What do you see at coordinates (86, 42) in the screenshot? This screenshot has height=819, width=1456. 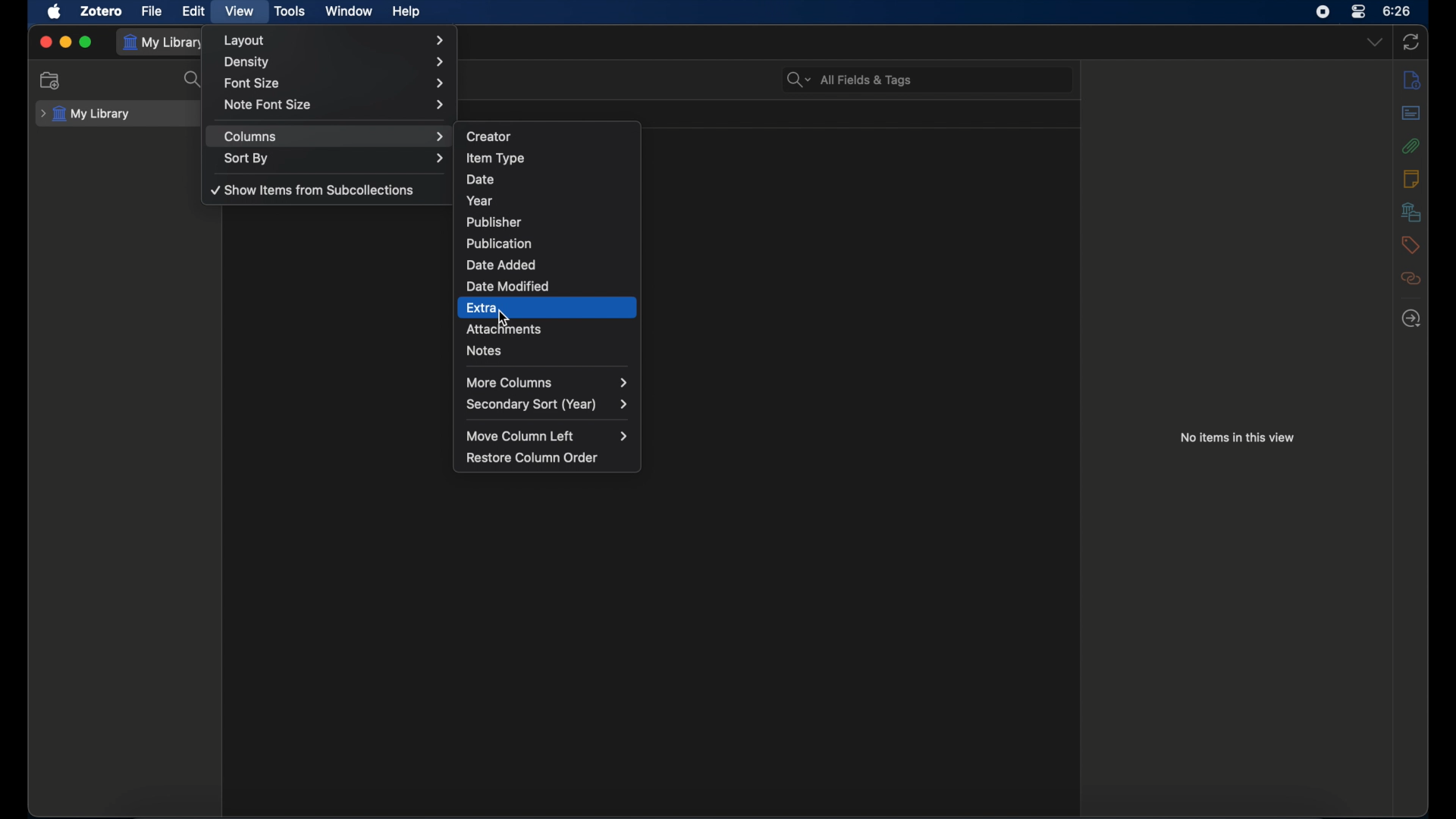 I see `maximize` at bounding box center [86, 42].